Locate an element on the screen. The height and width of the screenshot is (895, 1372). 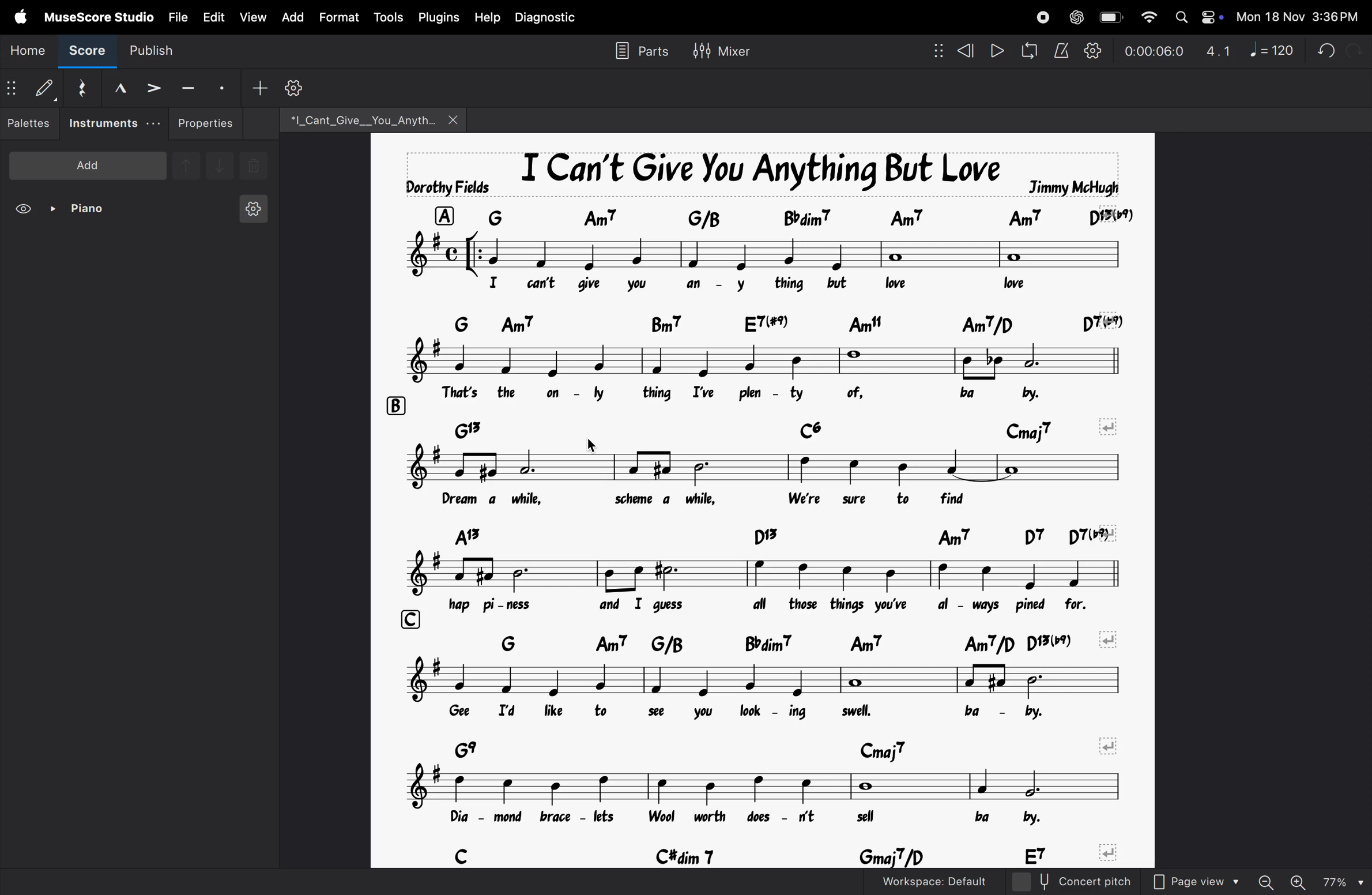
undo is located at coordinates (1317, 52).